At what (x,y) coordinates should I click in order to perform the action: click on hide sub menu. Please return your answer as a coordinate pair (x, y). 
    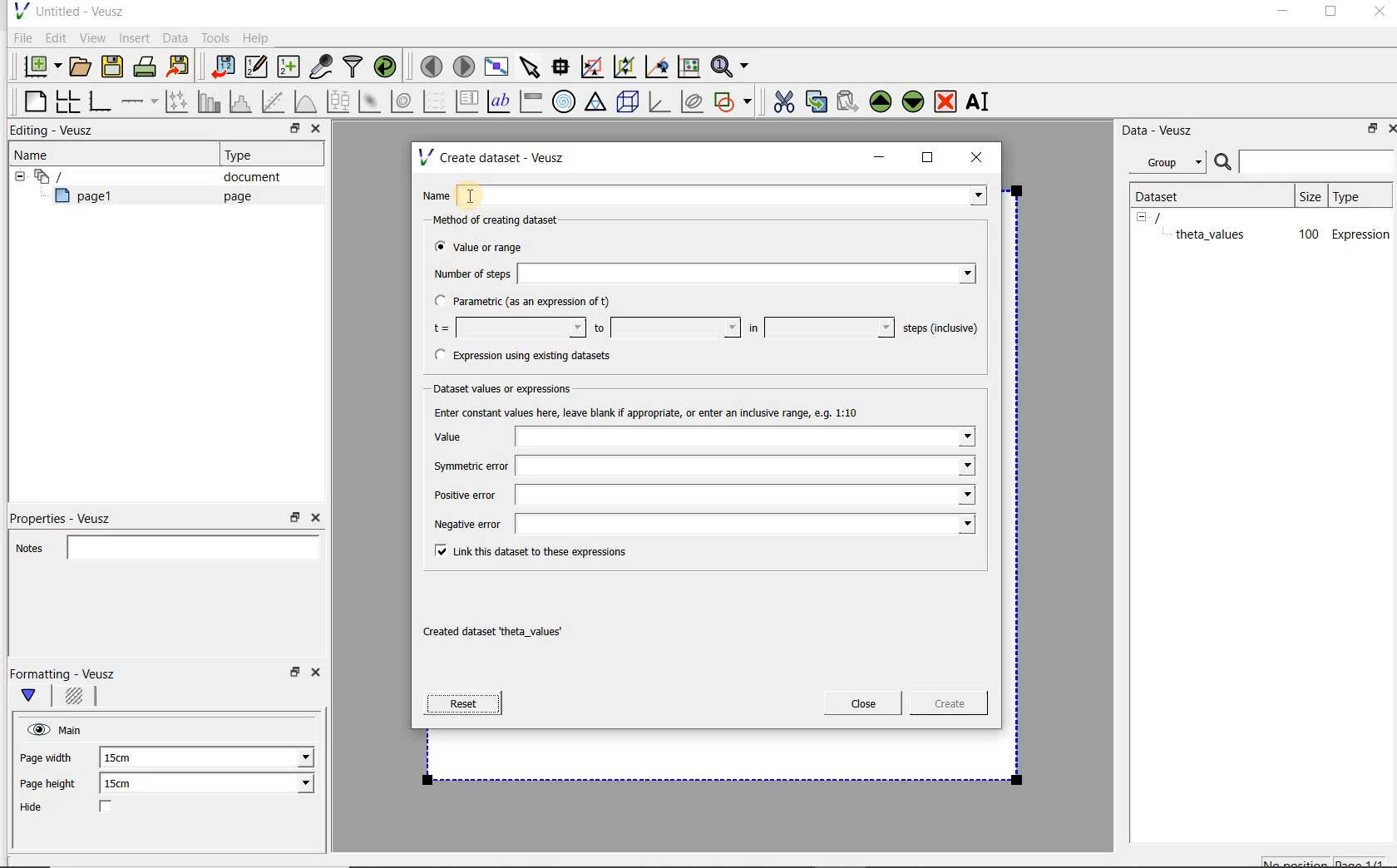
    Looking at the image, I should click on (1142, 216).